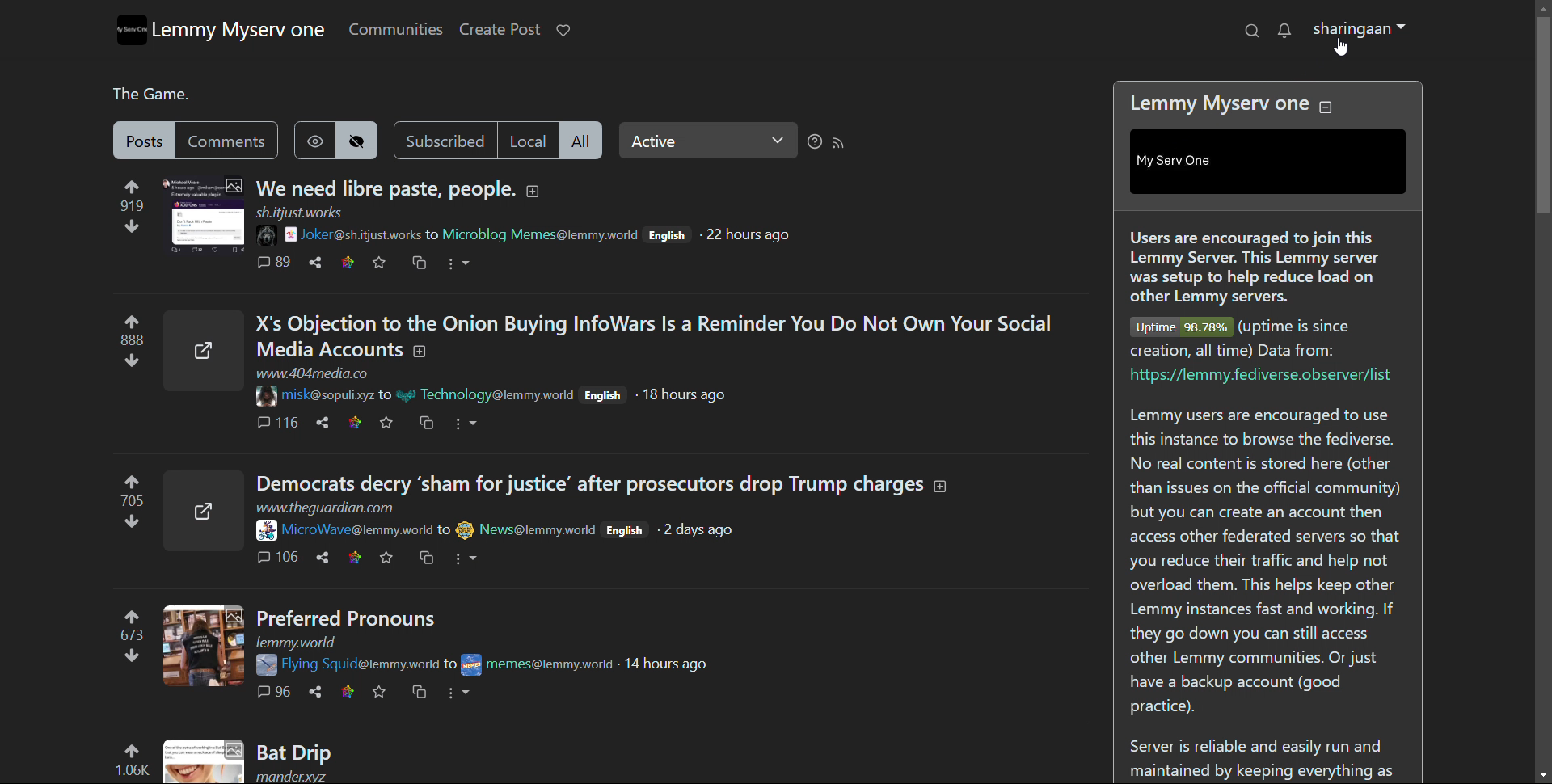 This screenshot has width=1552, height=784. Describe the element at coordinates (133, 229) in the screenshot. I see ` downvotes` at that location.